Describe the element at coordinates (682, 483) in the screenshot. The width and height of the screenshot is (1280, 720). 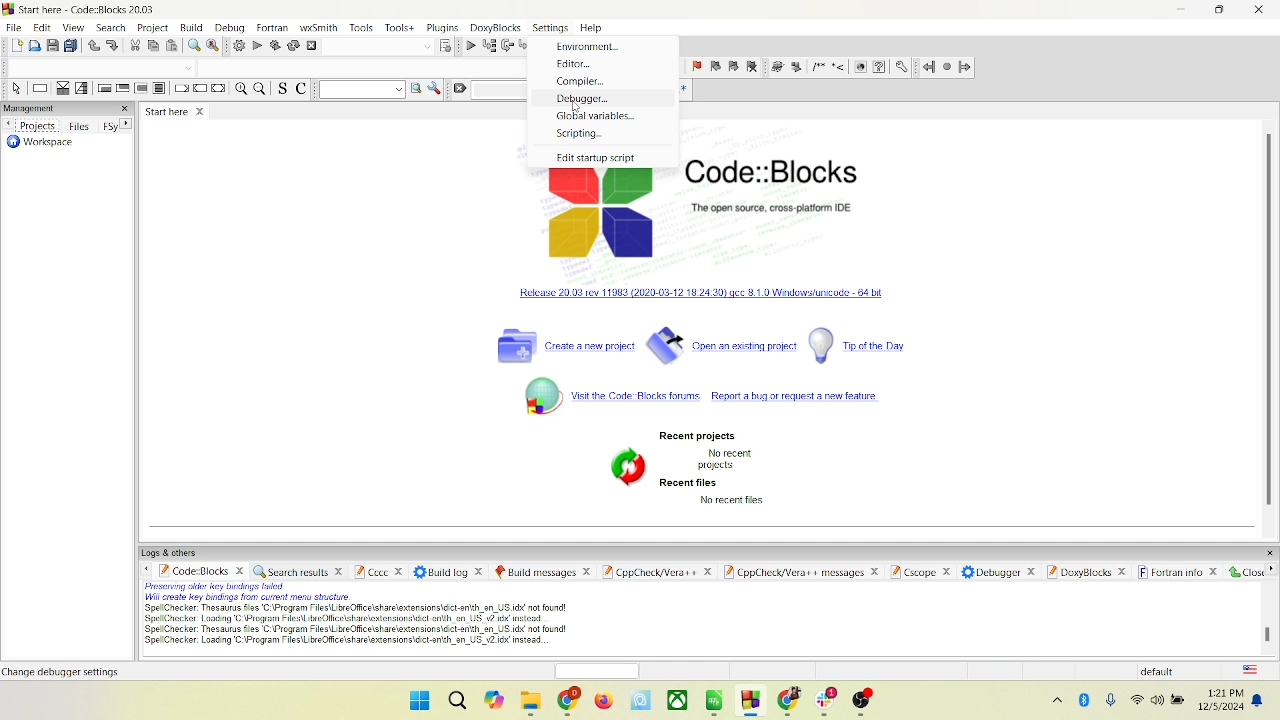
I see `recent files` at that location.